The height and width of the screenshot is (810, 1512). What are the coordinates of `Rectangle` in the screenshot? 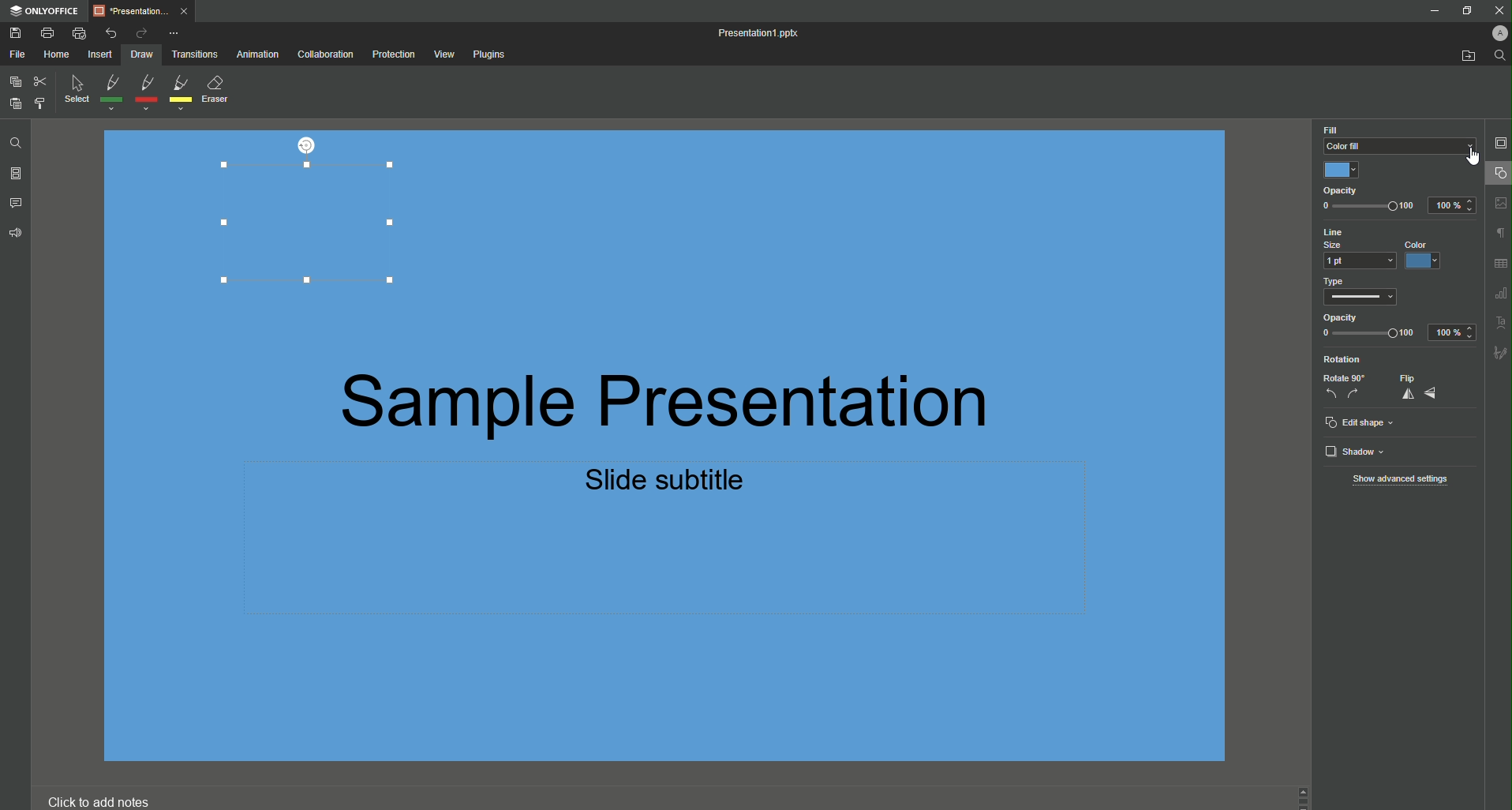 It's located at (304, 225).